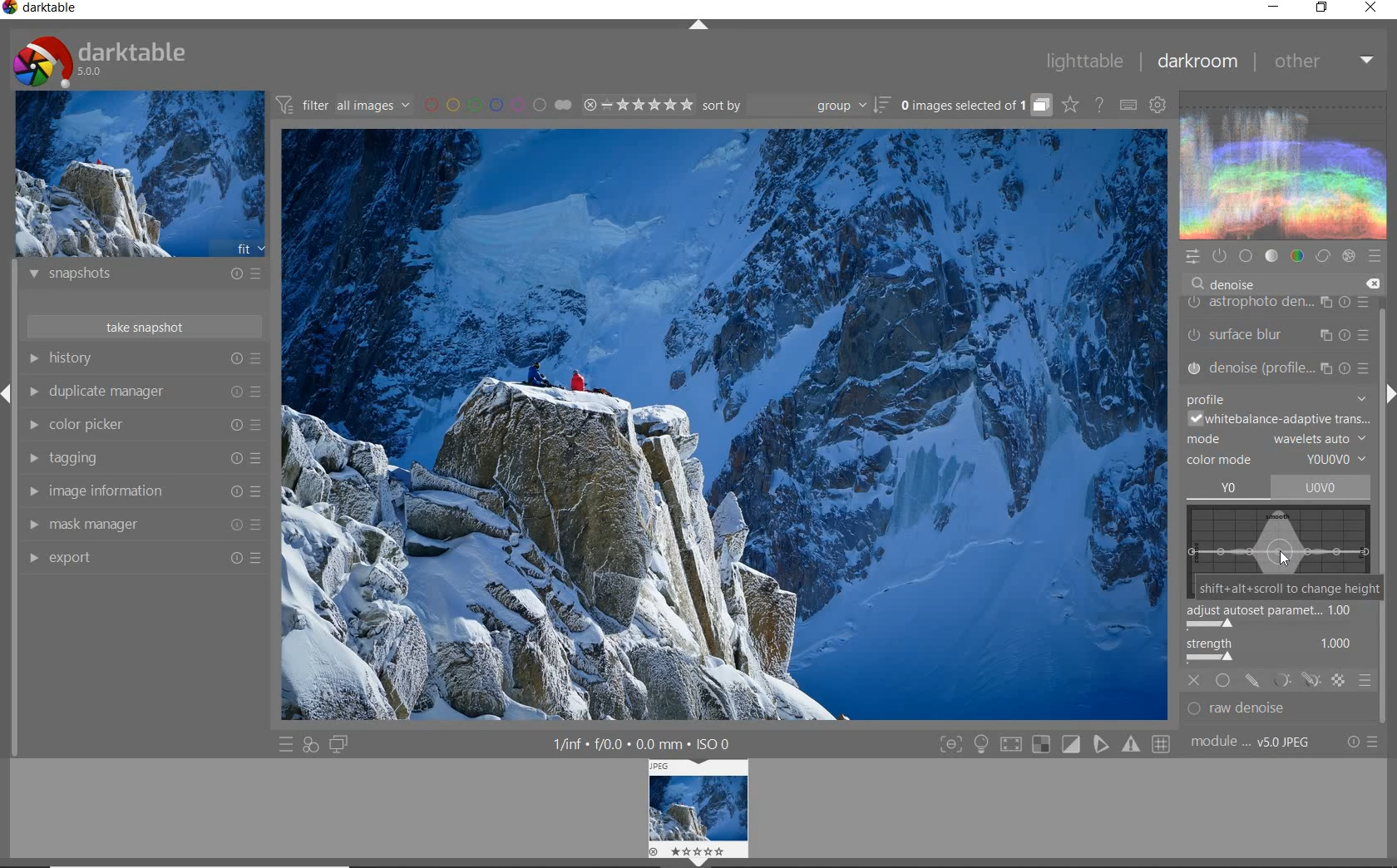  What do you see at coordinates (141, 557) in the screenshot?
I see `export` at bounding box center [141, 557].